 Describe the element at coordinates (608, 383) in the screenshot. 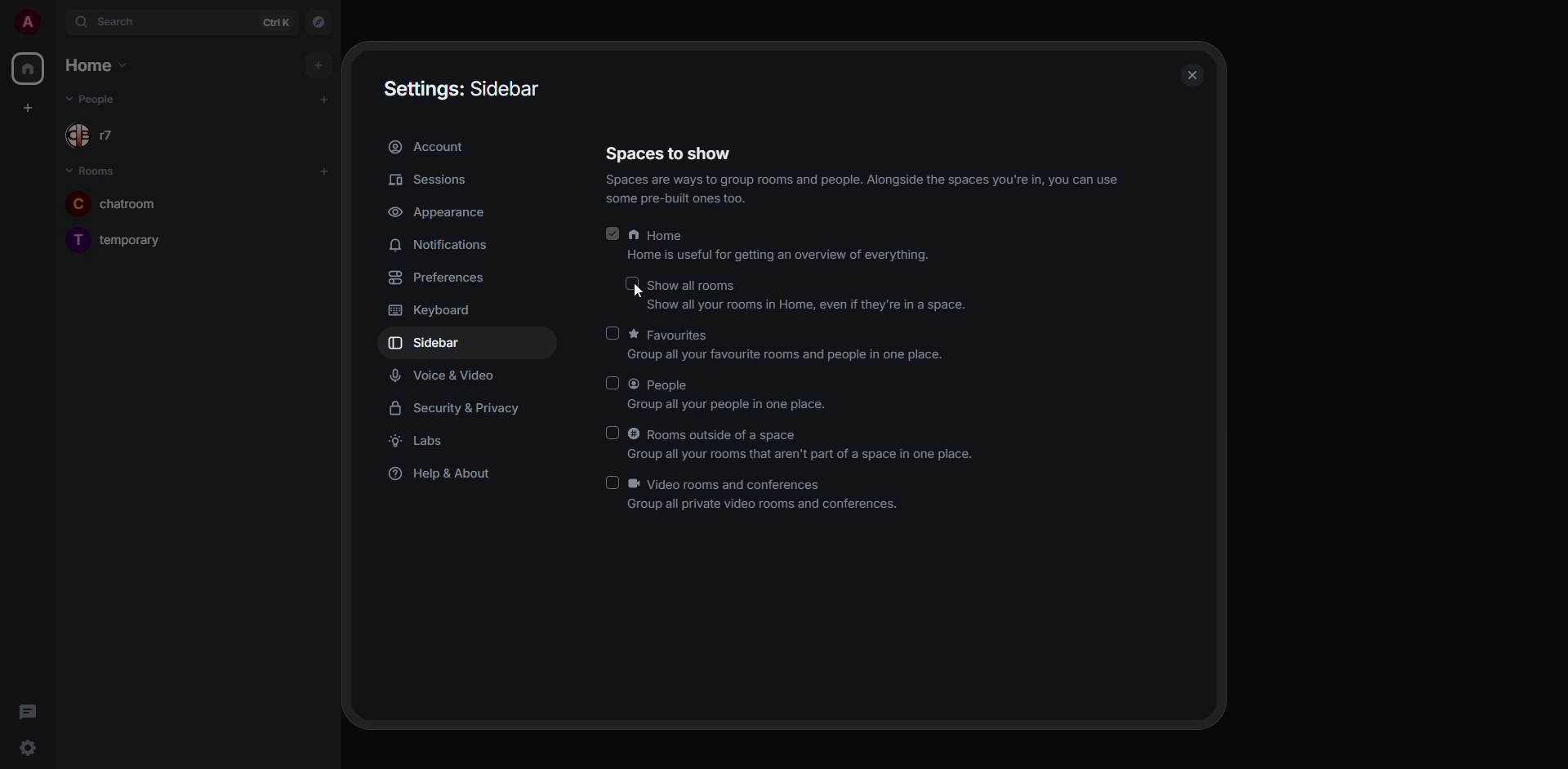

I see `click to enable` at that location.